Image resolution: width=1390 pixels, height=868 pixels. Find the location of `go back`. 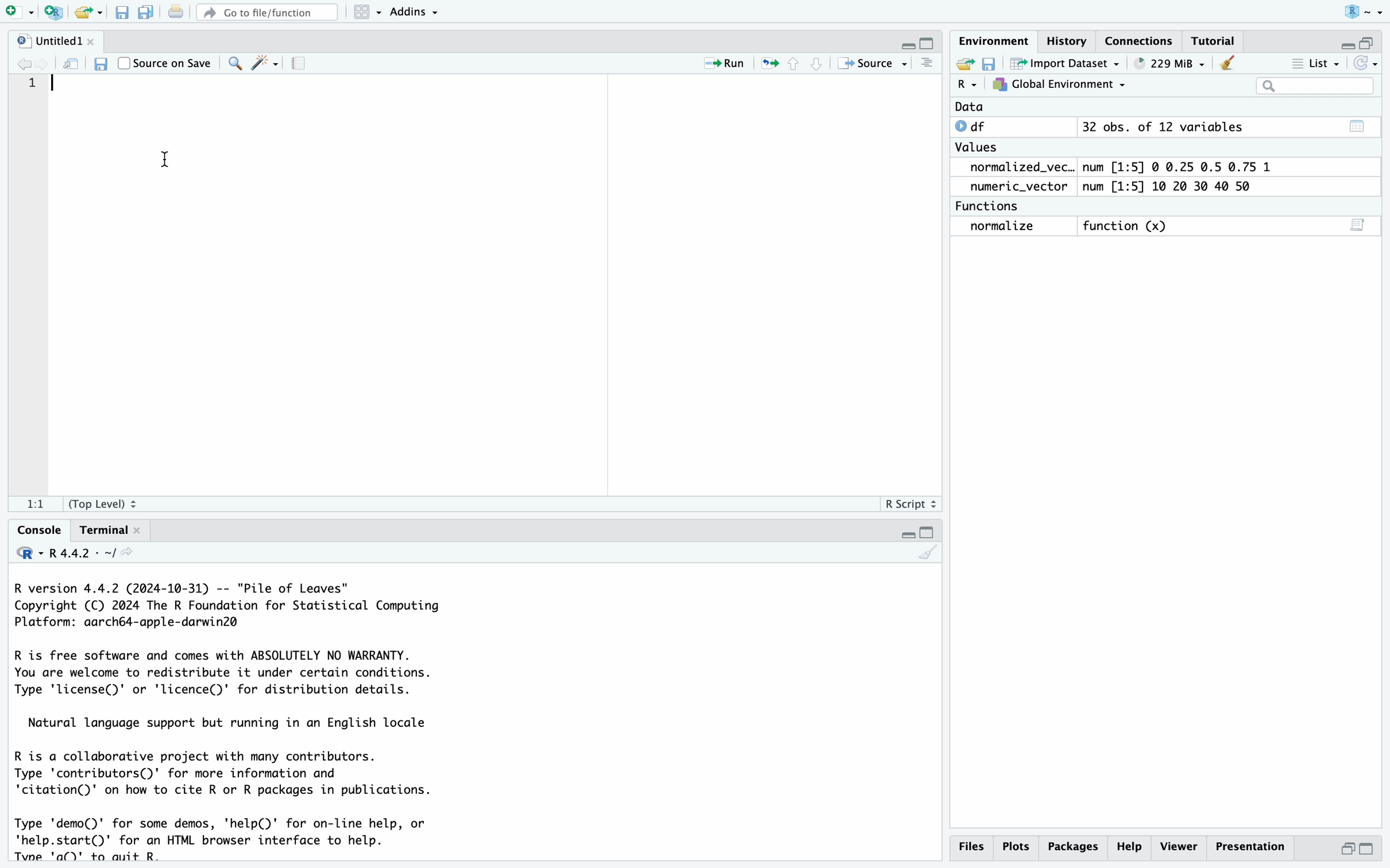

go back is located at coordinates (25, 65).